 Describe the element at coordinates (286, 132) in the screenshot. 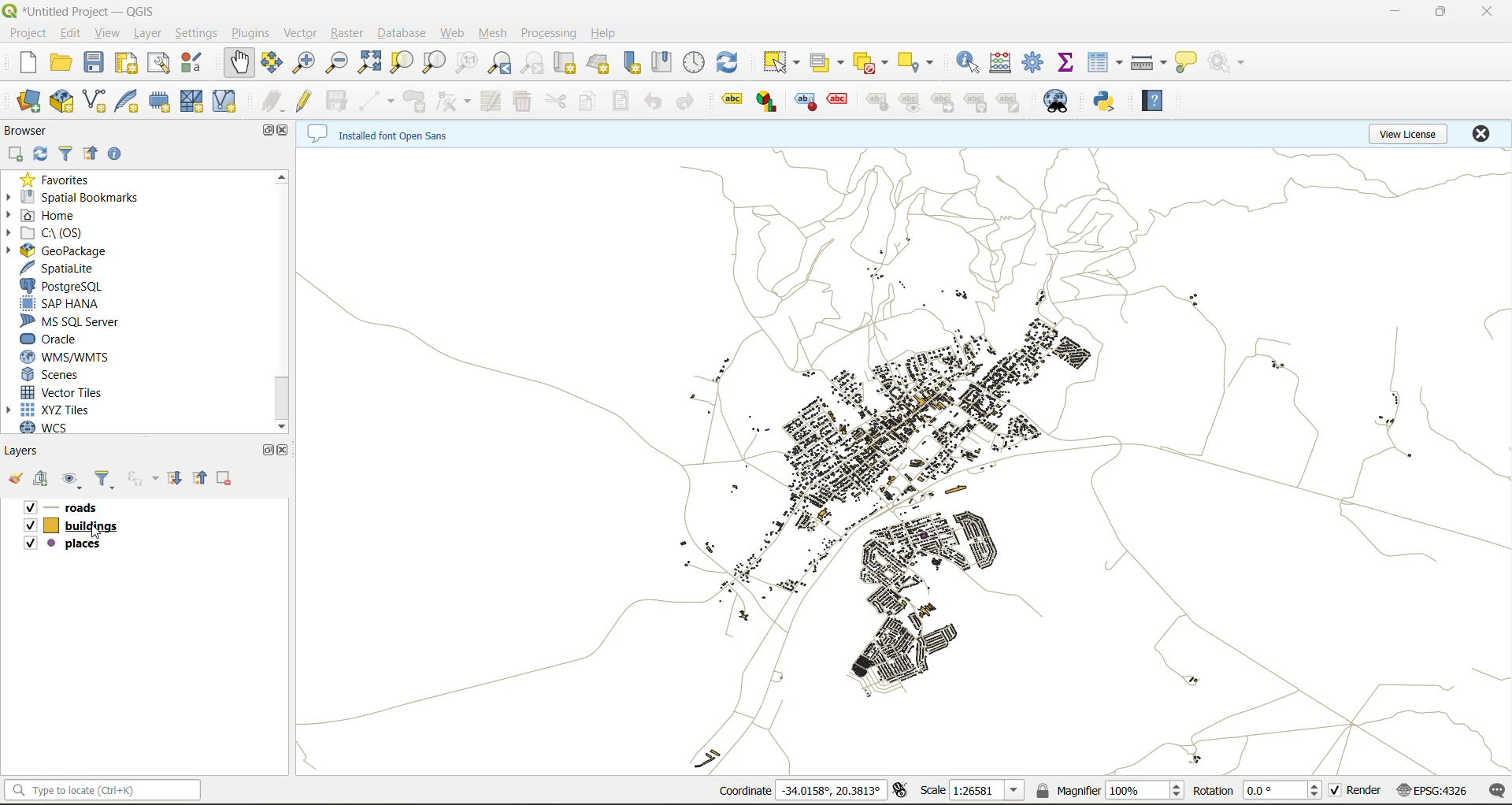

I see `close` at that location.